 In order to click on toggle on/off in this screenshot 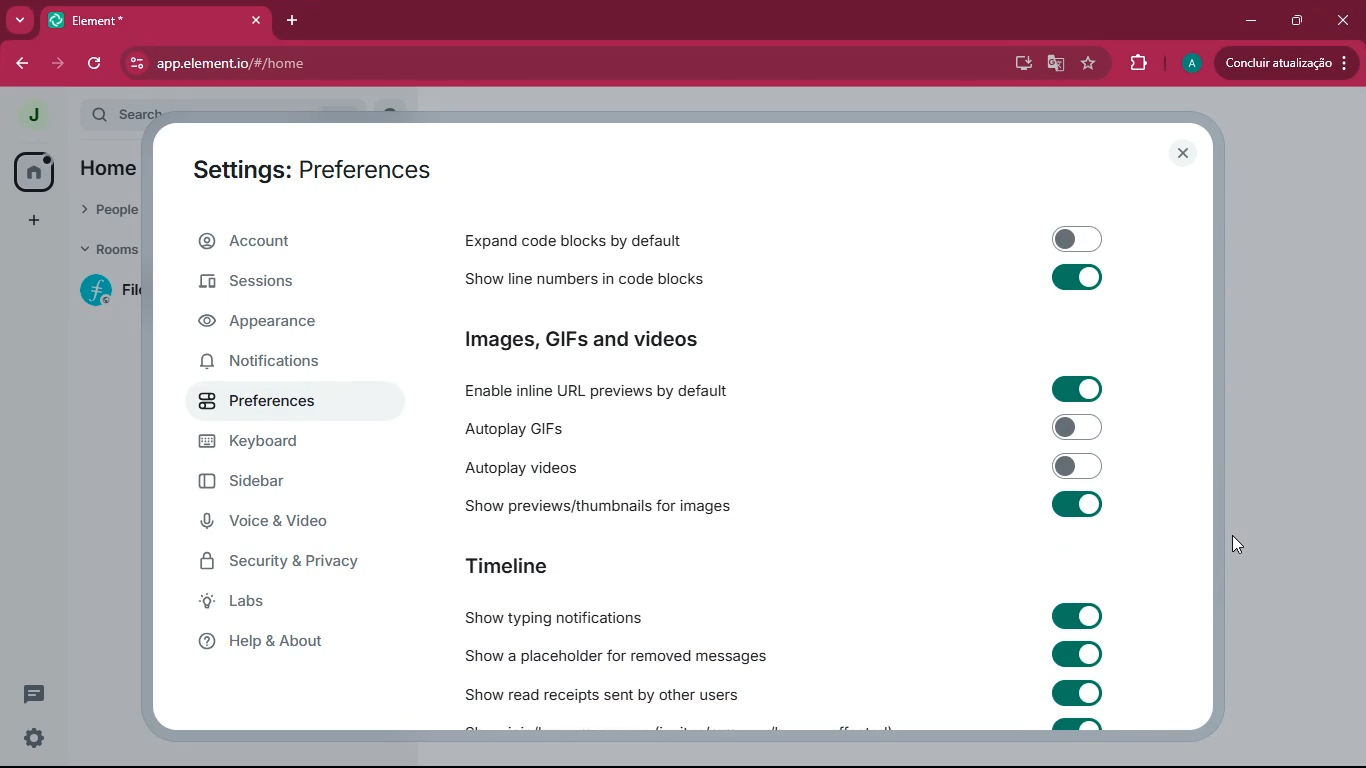, I will do `click(1077, 615)`.